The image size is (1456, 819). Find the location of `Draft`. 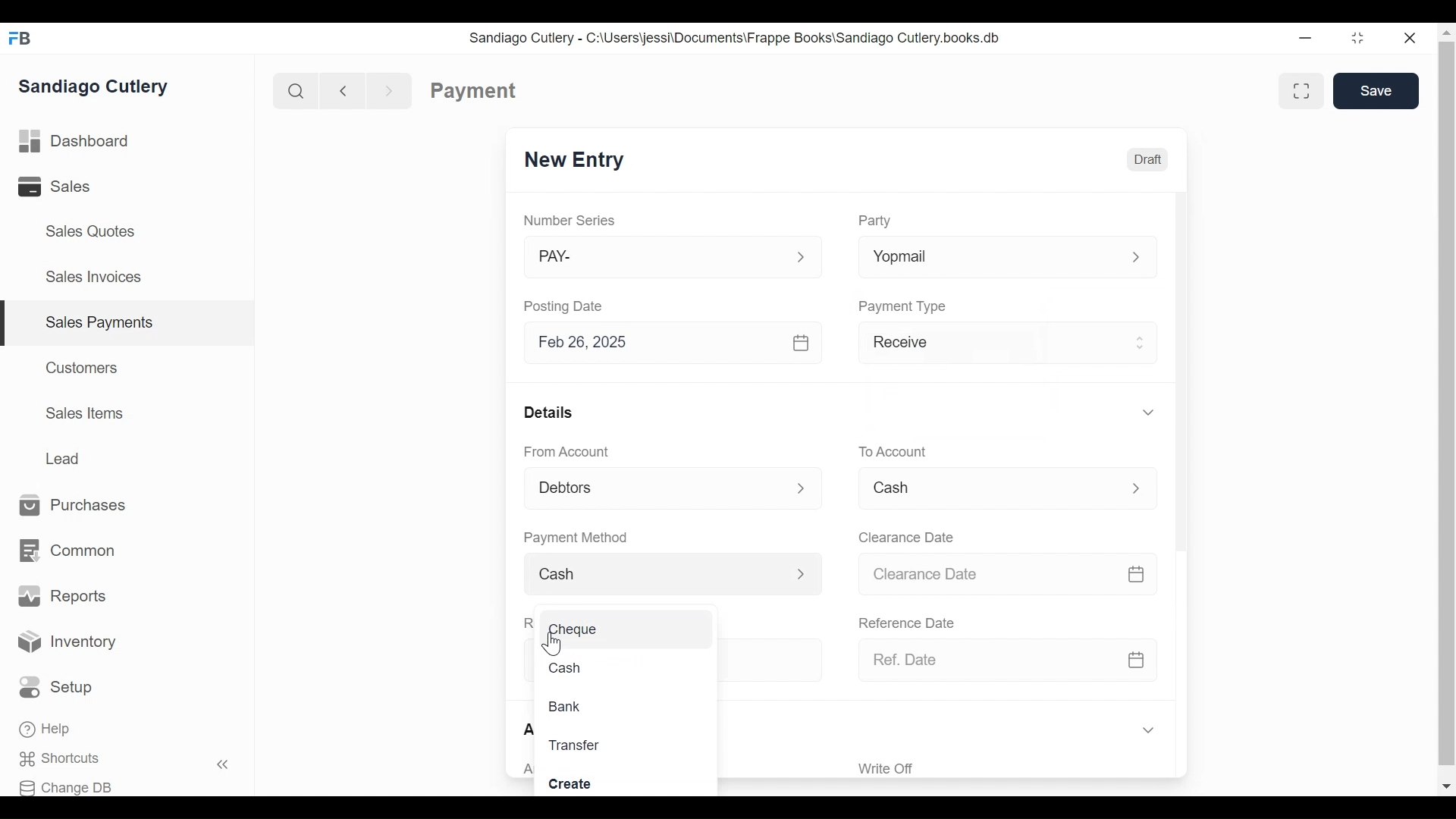

Draft is located at coordinates (1151, 159).